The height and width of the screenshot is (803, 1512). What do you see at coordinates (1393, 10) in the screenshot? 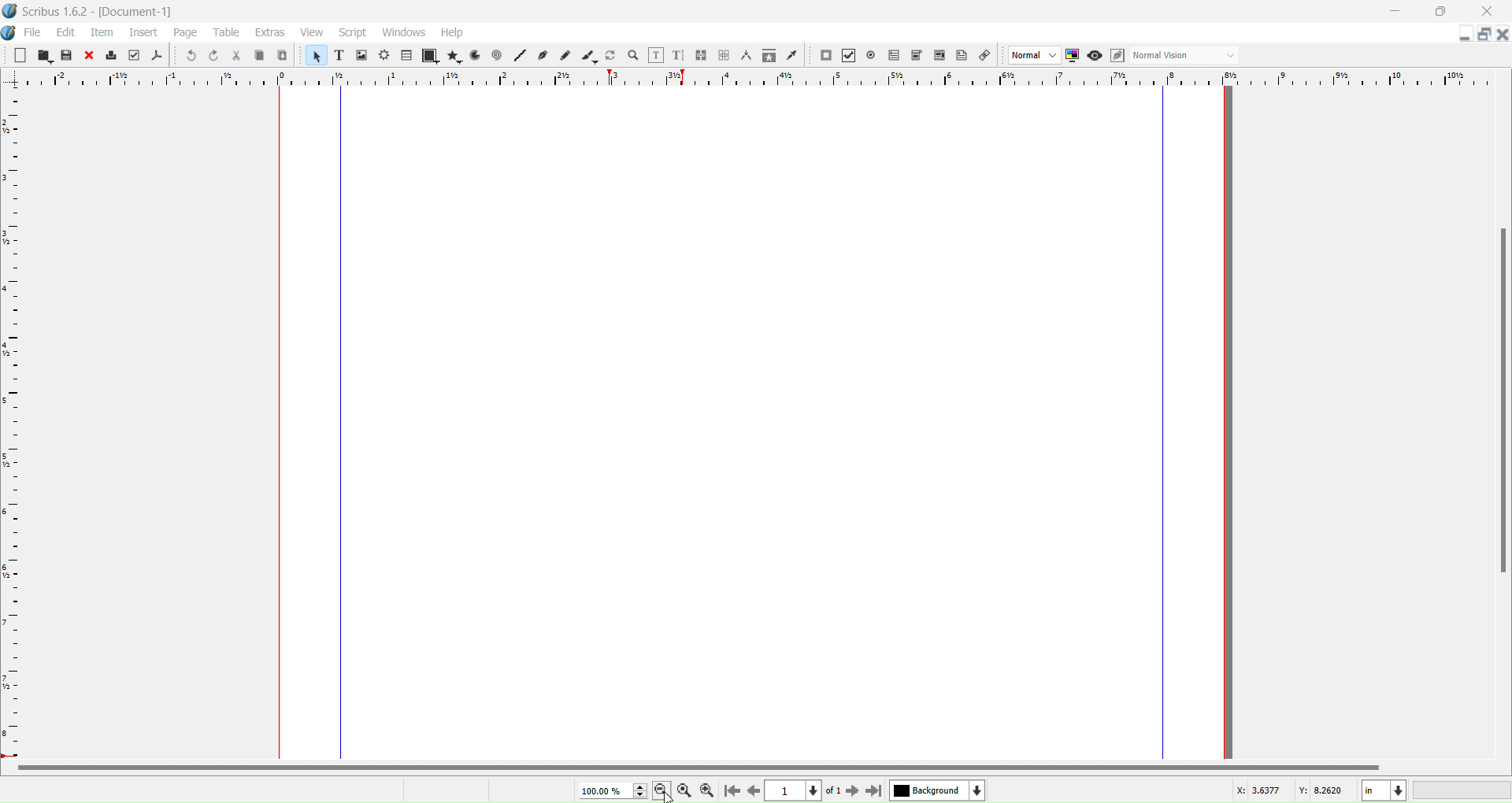
I see `Minimize ` at bounding box center [1393, 10].